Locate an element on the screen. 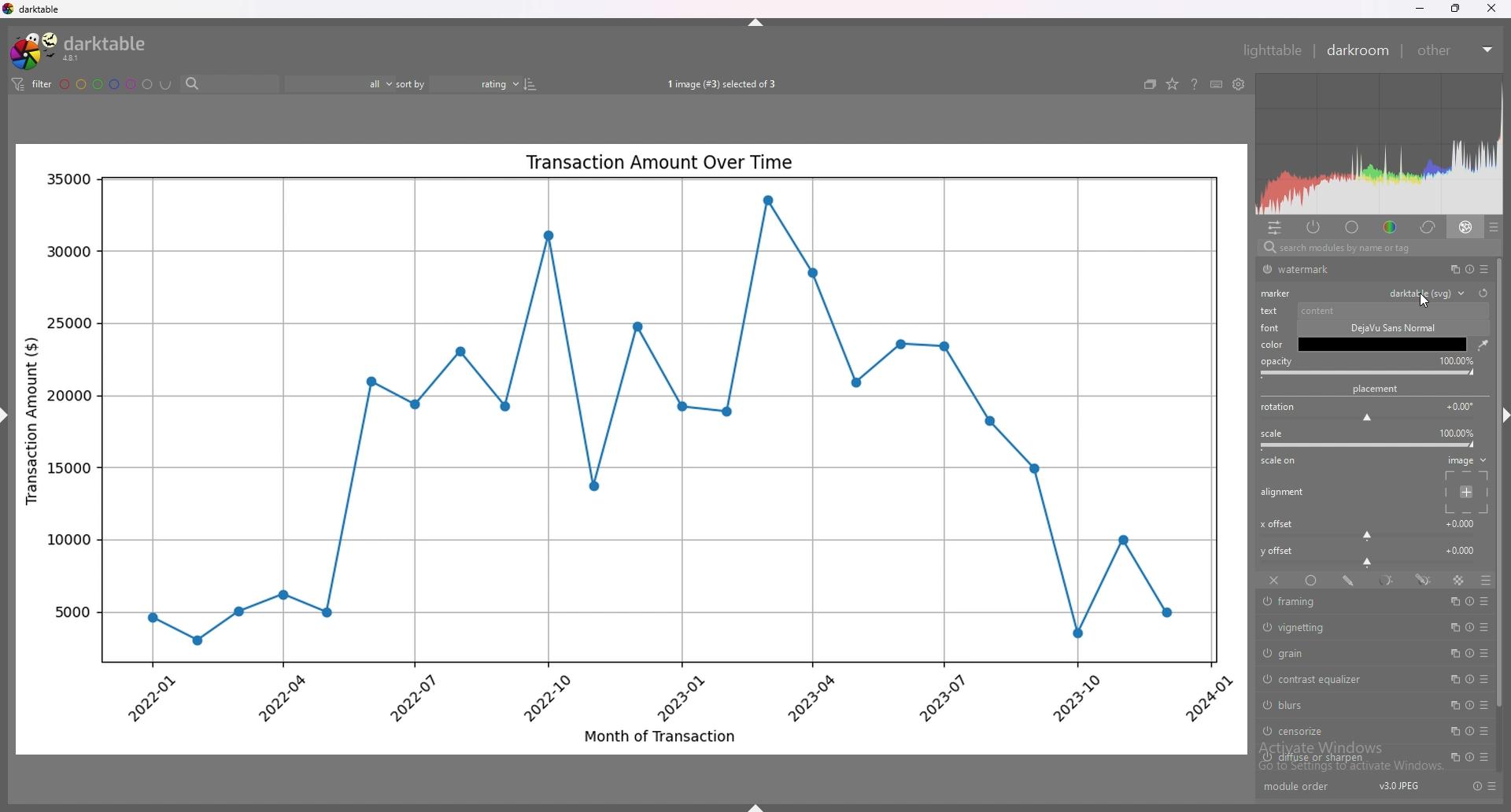  vignetting is located at coordinates (1347, 629).